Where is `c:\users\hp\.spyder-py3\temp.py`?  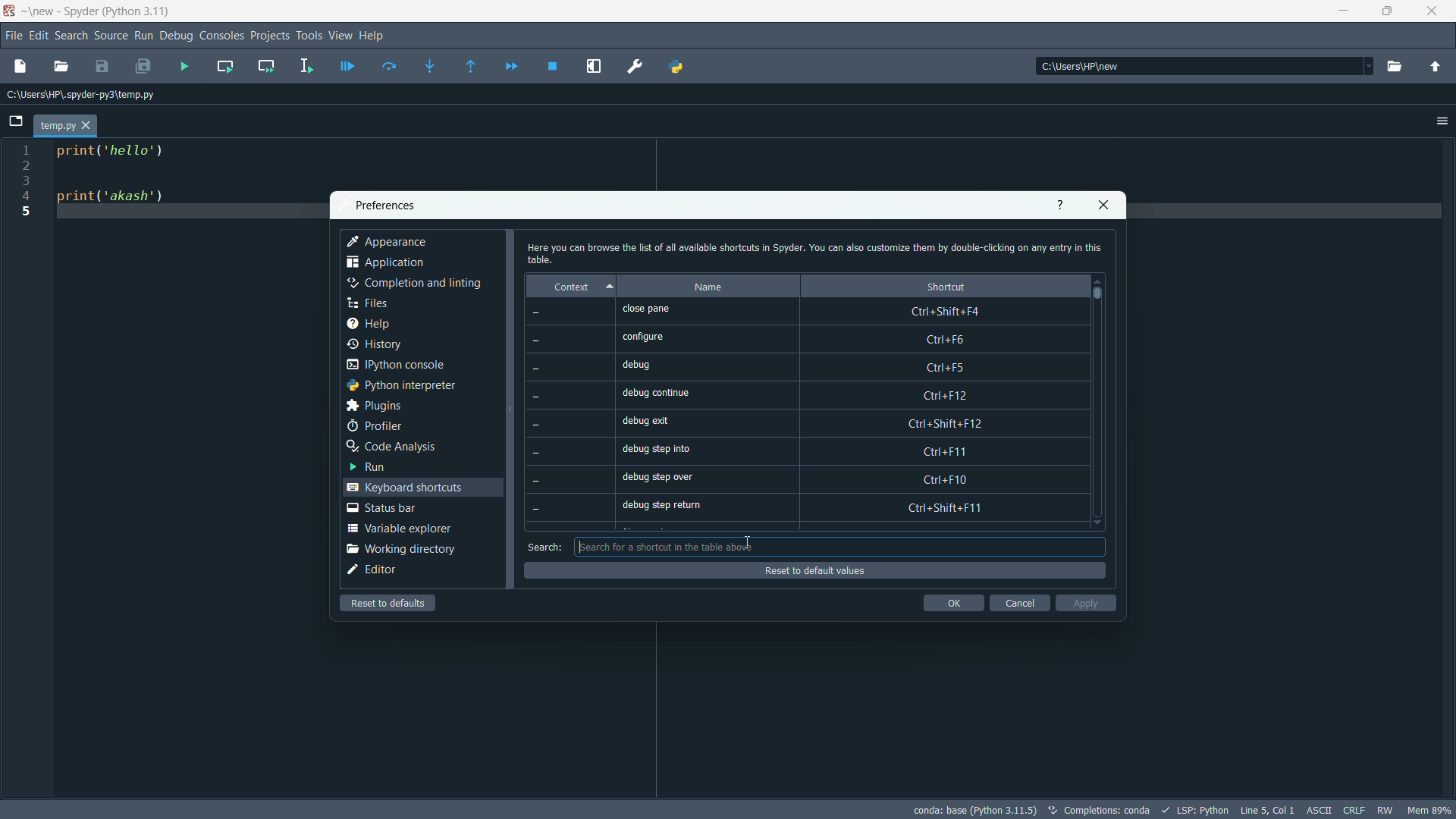 c:\users\hp\.spyder-py3\temp.py is located at coordinates (88, 94).